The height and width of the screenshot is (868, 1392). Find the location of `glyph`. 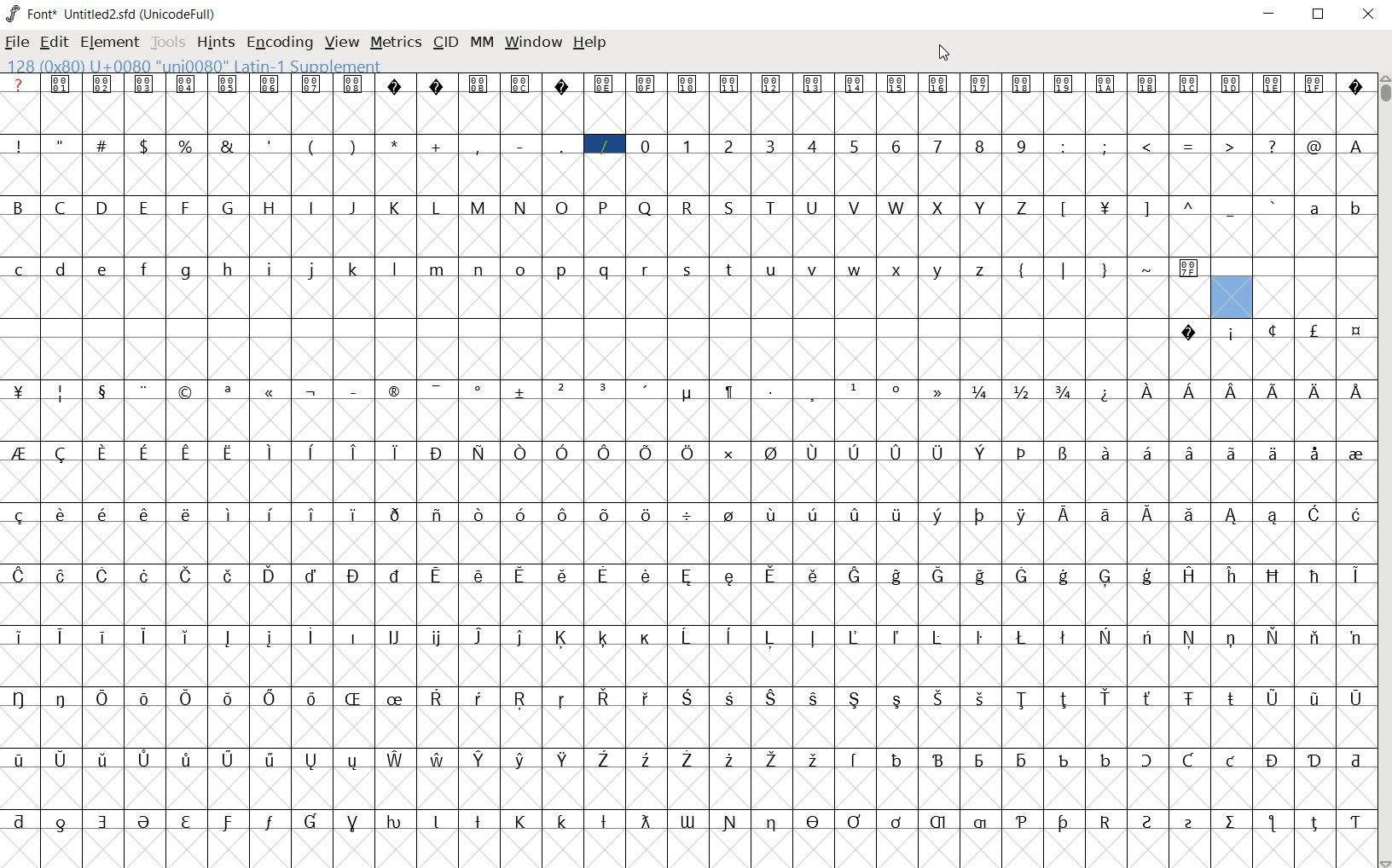

glyph is located at coordinates (270, 760).